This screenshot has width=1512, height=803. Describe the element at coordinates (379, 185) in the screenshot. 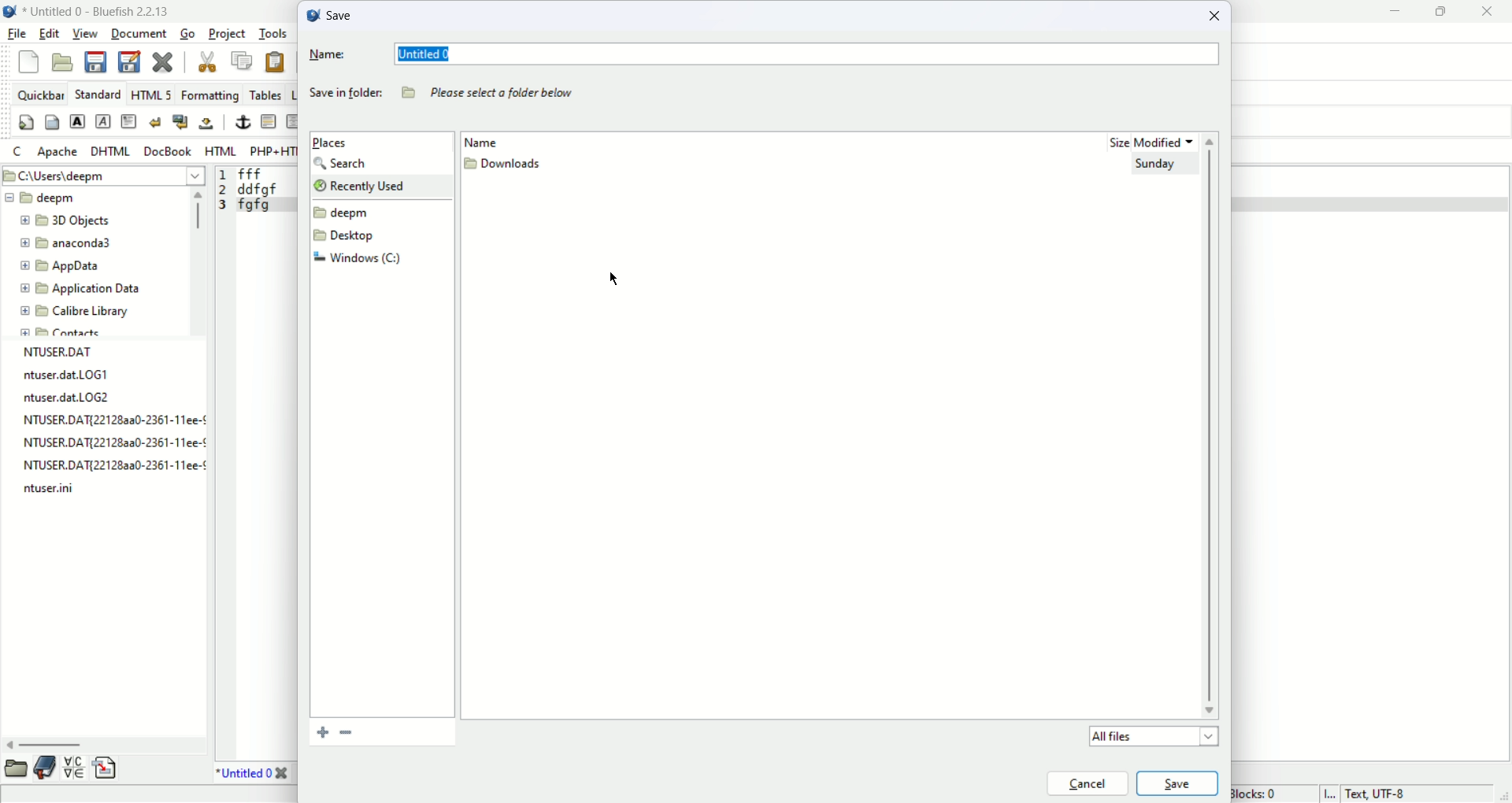

I see `recently used` at that location.